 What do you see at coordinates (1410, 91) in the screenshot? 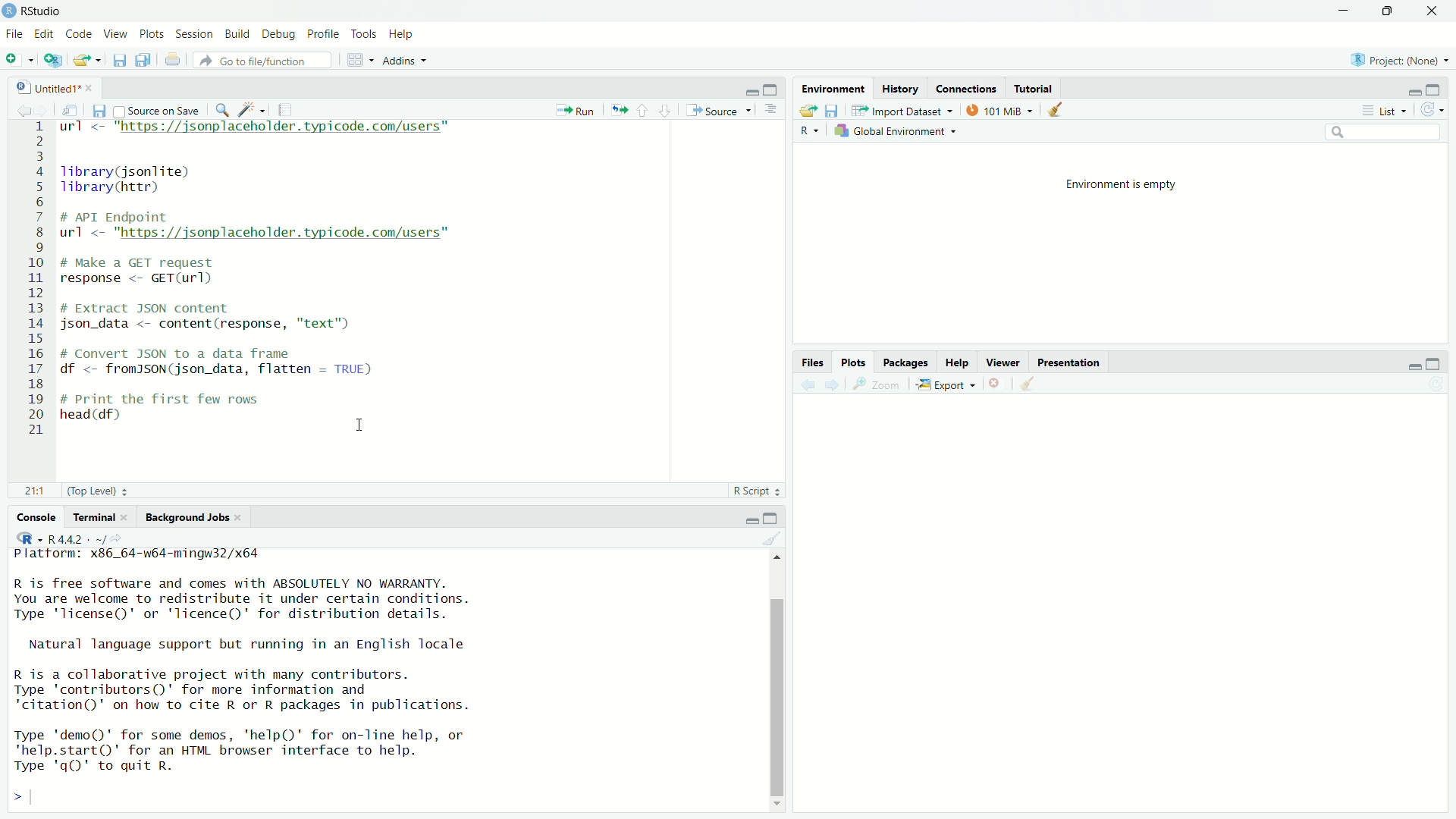
I see `Minimize` at bounding box center [1410, 91].